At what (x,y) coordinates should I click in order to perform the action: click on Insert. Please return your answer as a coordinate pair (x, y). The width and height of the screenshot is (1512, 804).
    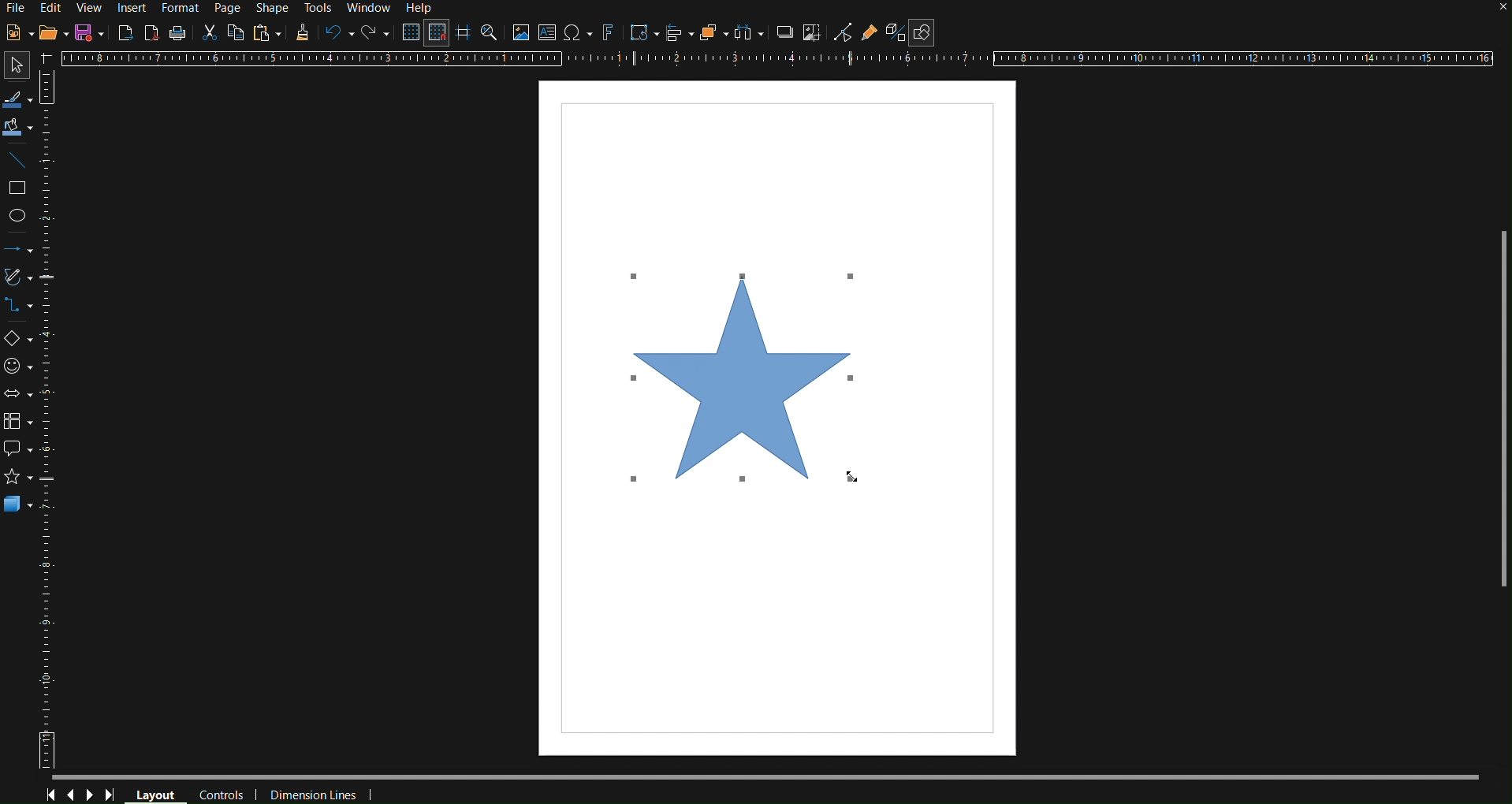
    Looking at the image, I should click on (131, 9).